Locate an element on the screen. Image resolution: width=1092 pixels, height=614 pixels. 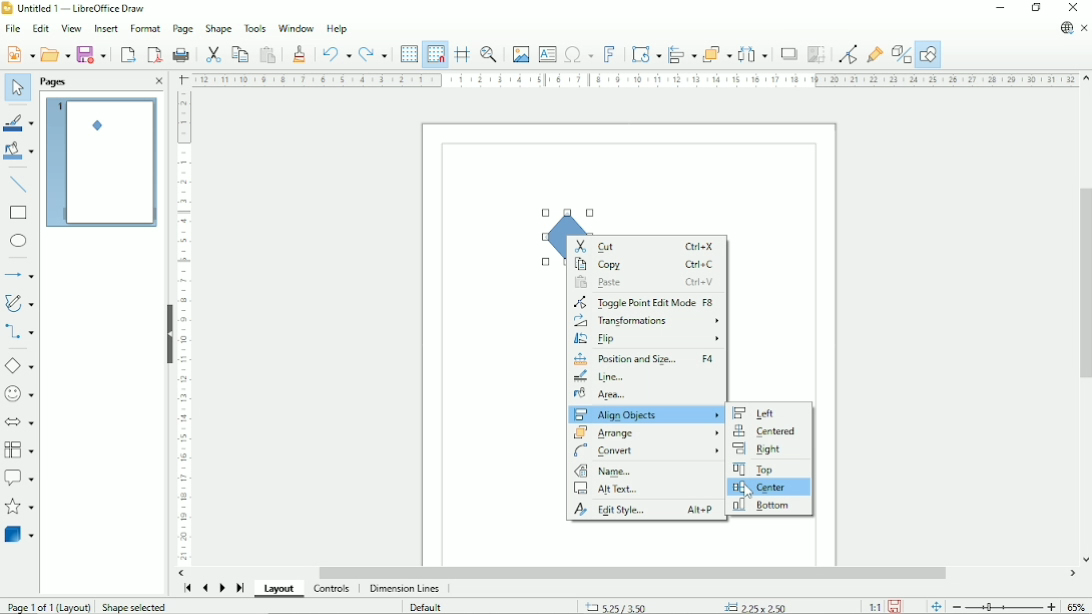
Toggle point edit mode is located at coordinates (644, 302).